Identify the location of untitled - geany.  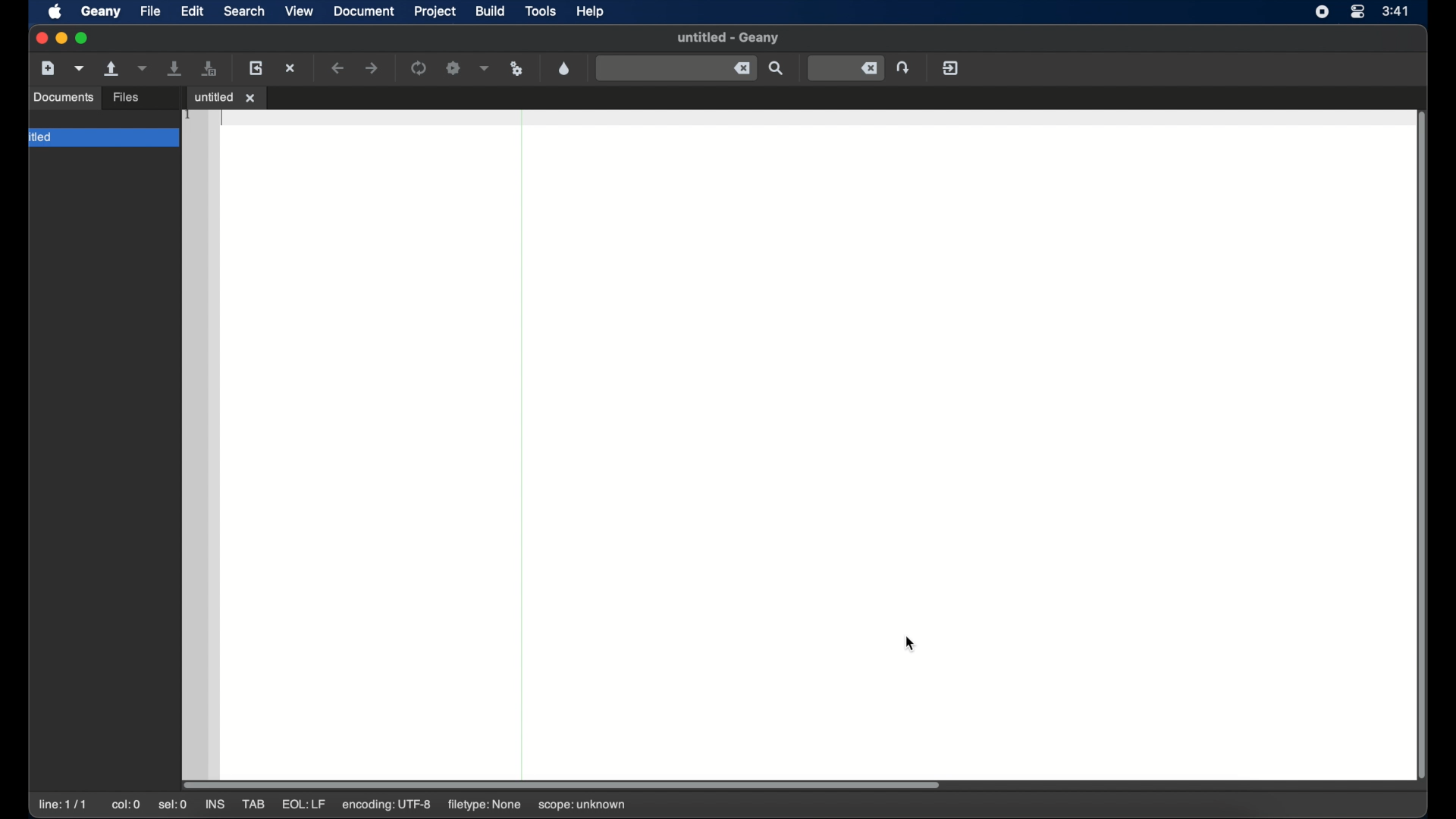
(728, 38).